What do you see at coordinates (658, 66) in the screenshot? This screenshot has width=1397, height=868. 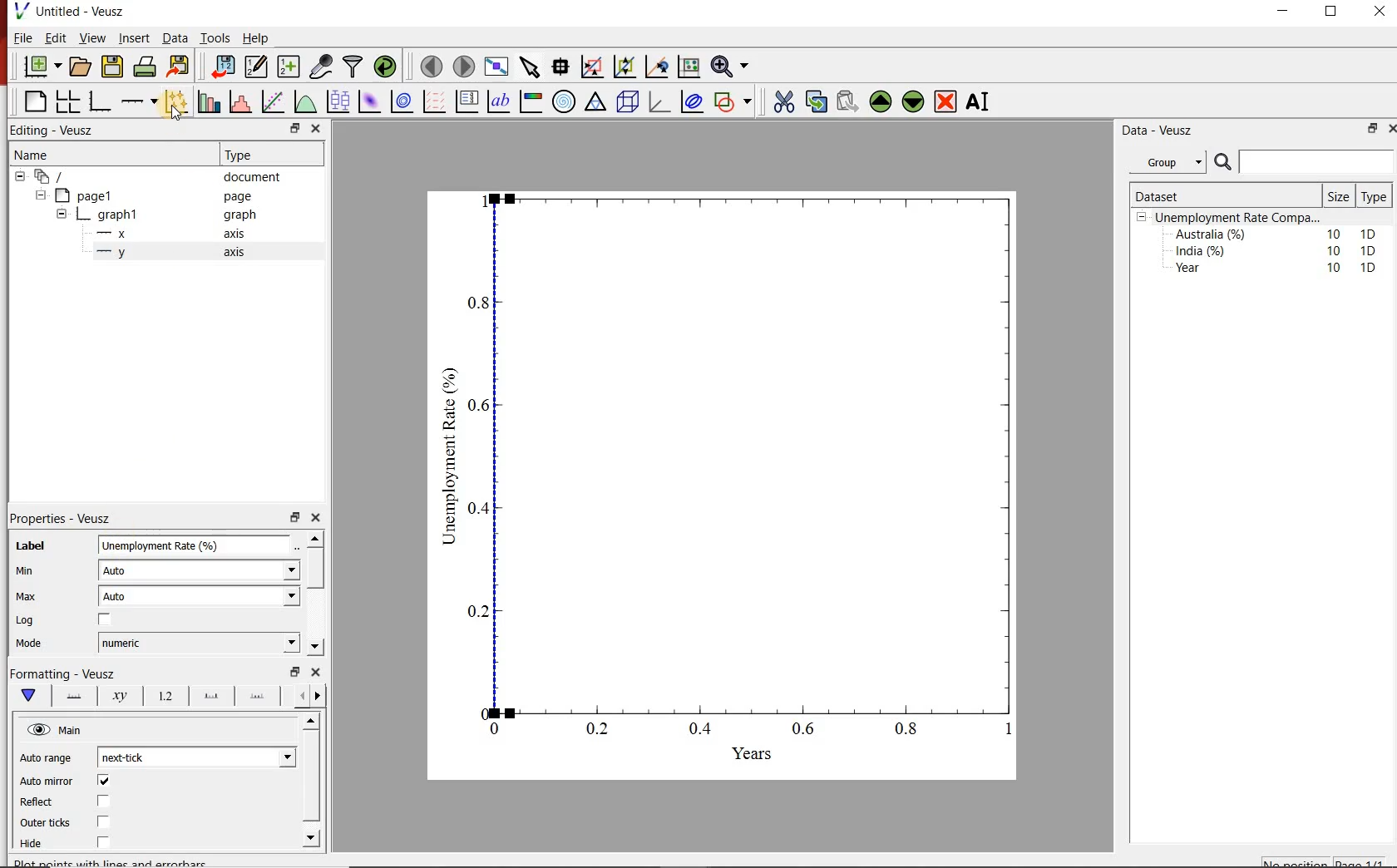 I see `click to recenter graph axes` at bounding box center [658, 66].